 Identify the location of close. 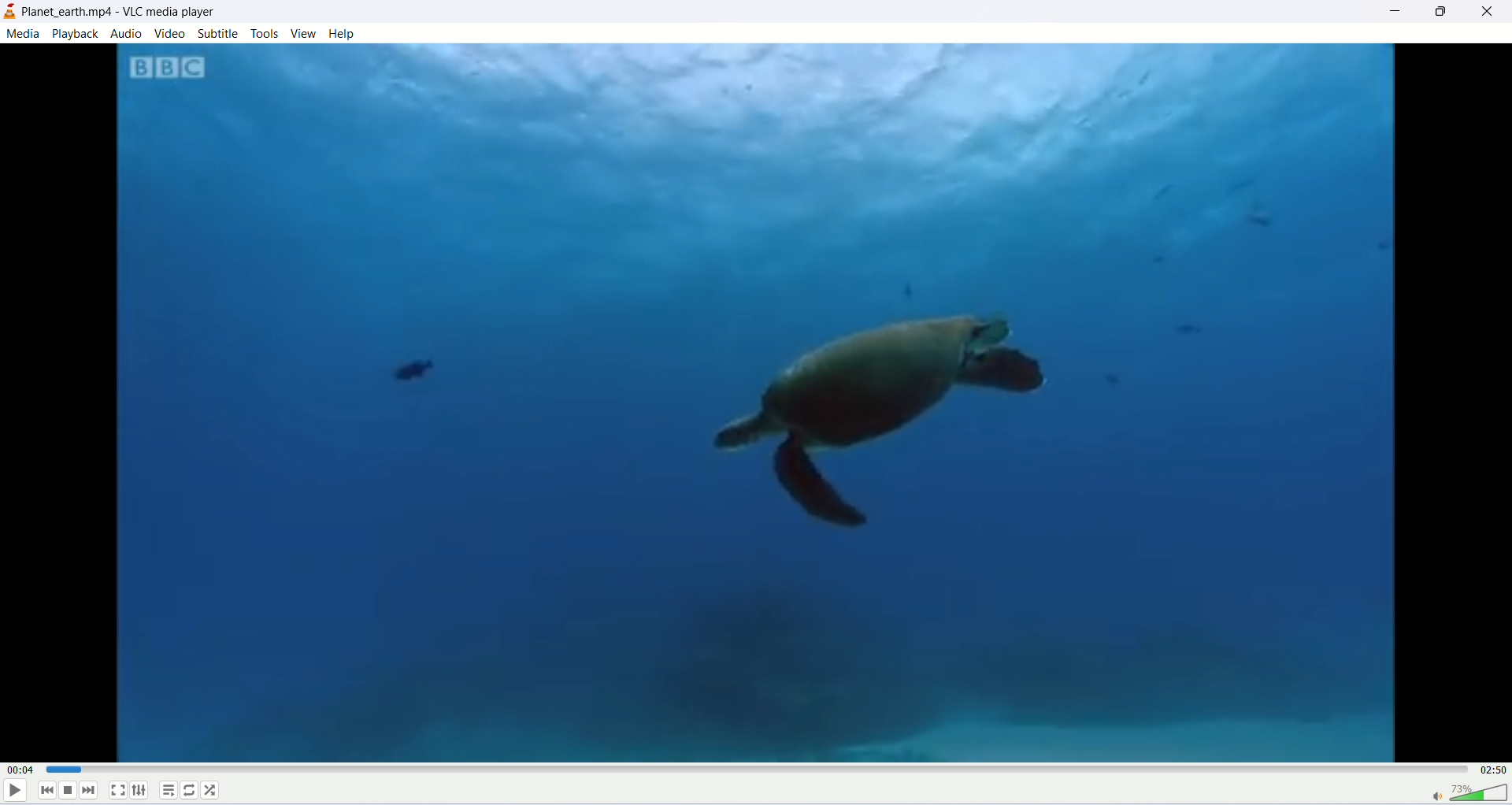
(1486, 12).